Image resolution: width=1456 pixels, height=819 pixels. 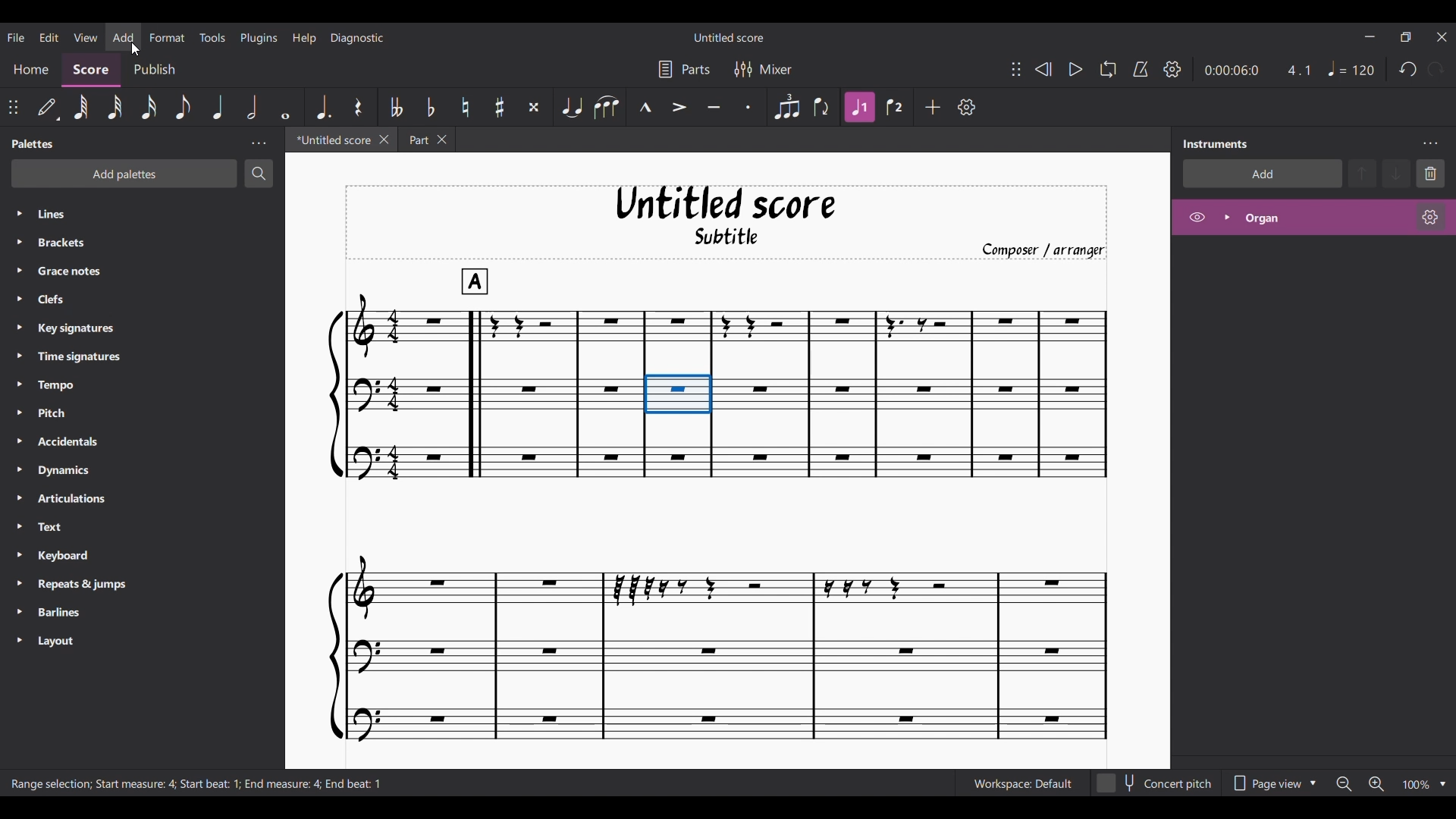 What do you see at coordinates (115, 108) in the screenshot?
I see `32nd note` at bounding box center [115, 108].